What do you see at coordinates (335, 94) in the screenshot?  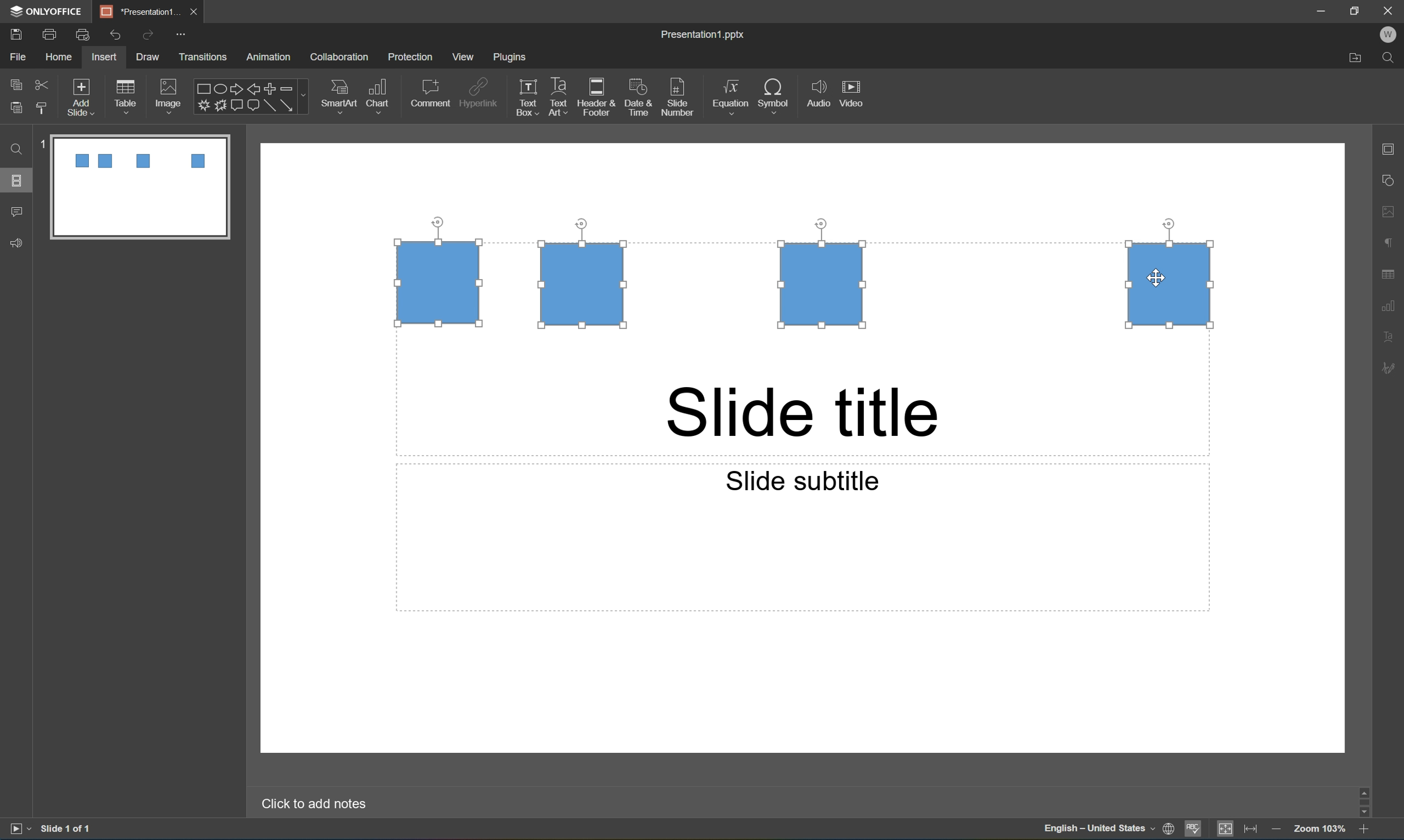 I see `smart art` at bounding box center [335, 94].